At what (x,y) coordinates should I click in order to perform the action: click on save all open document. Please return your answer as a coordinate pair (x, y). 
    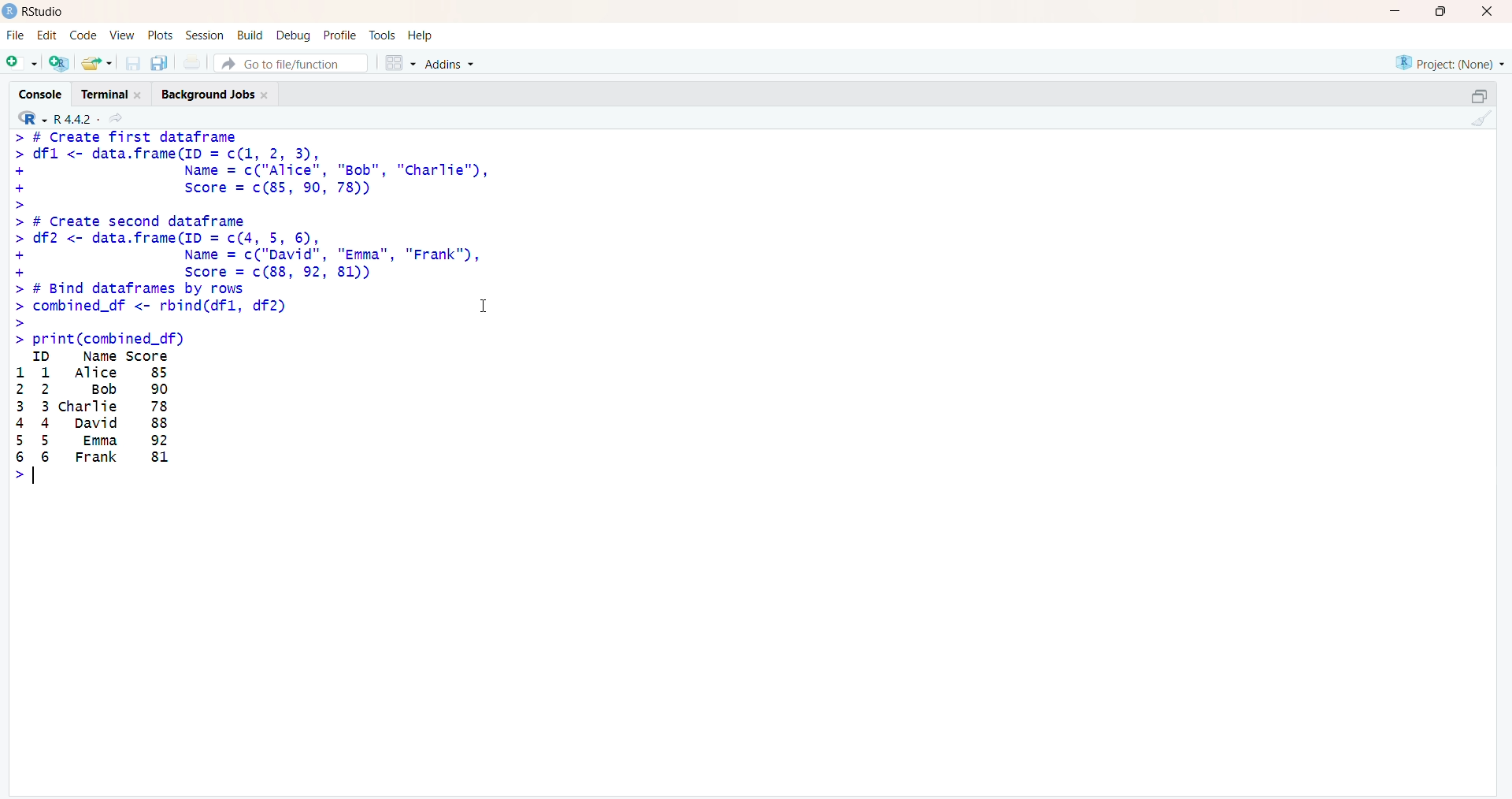
    Looking at the image, I should click on (160, 64).